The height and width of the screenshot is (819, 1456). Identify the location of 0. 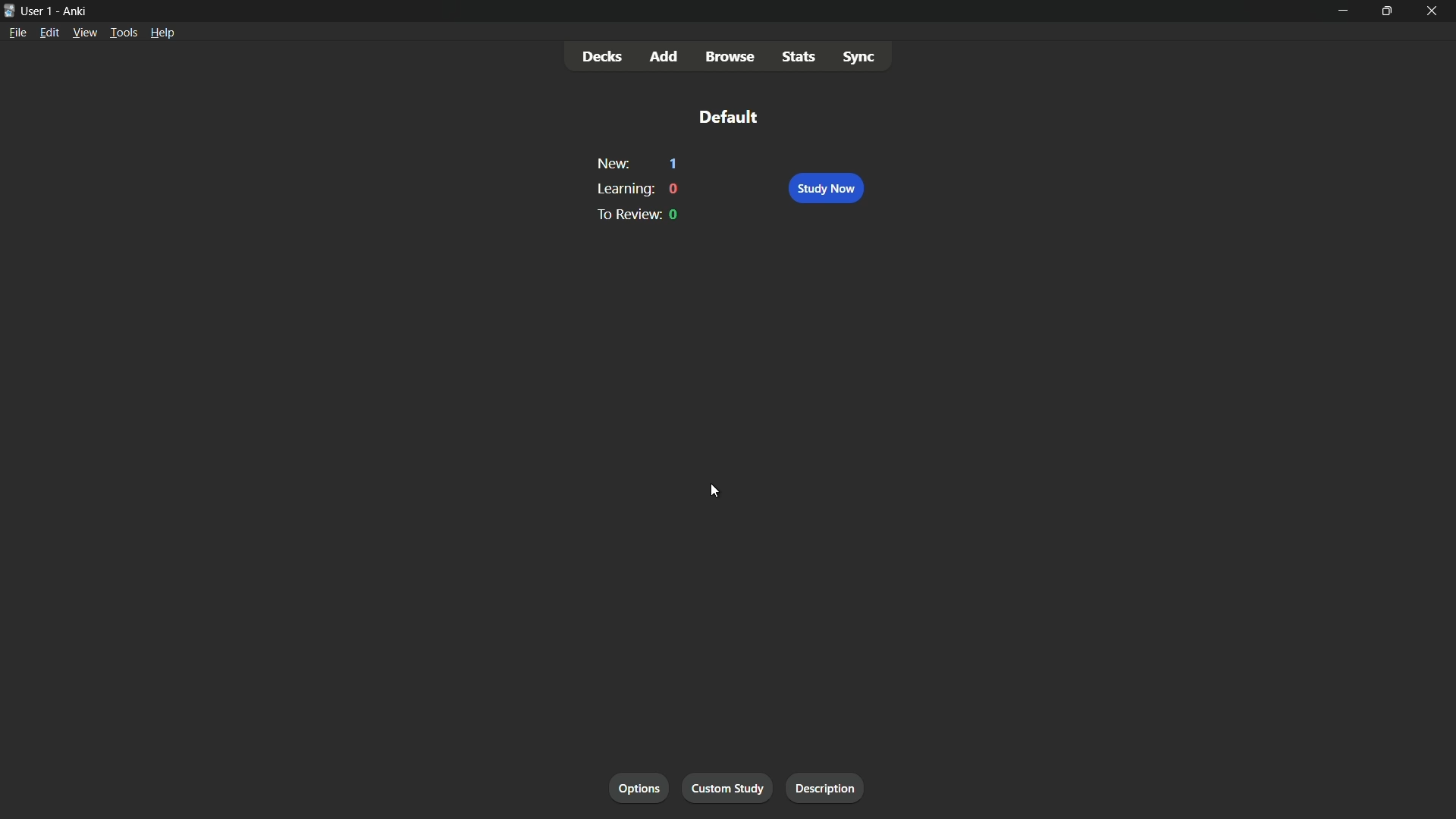
(676, 215).